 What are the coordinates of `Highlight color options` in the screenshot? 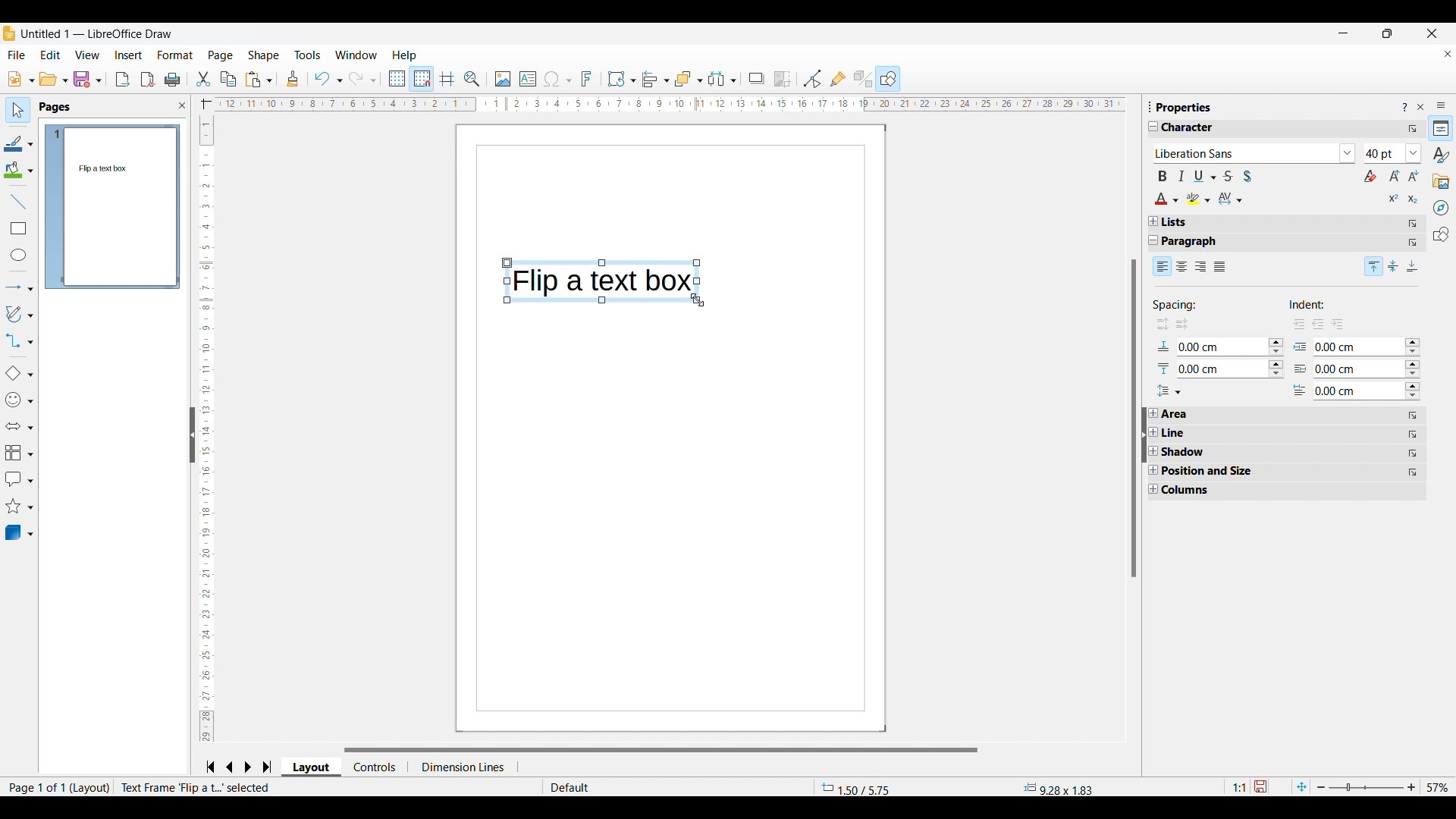 It's located at (1199, 199).